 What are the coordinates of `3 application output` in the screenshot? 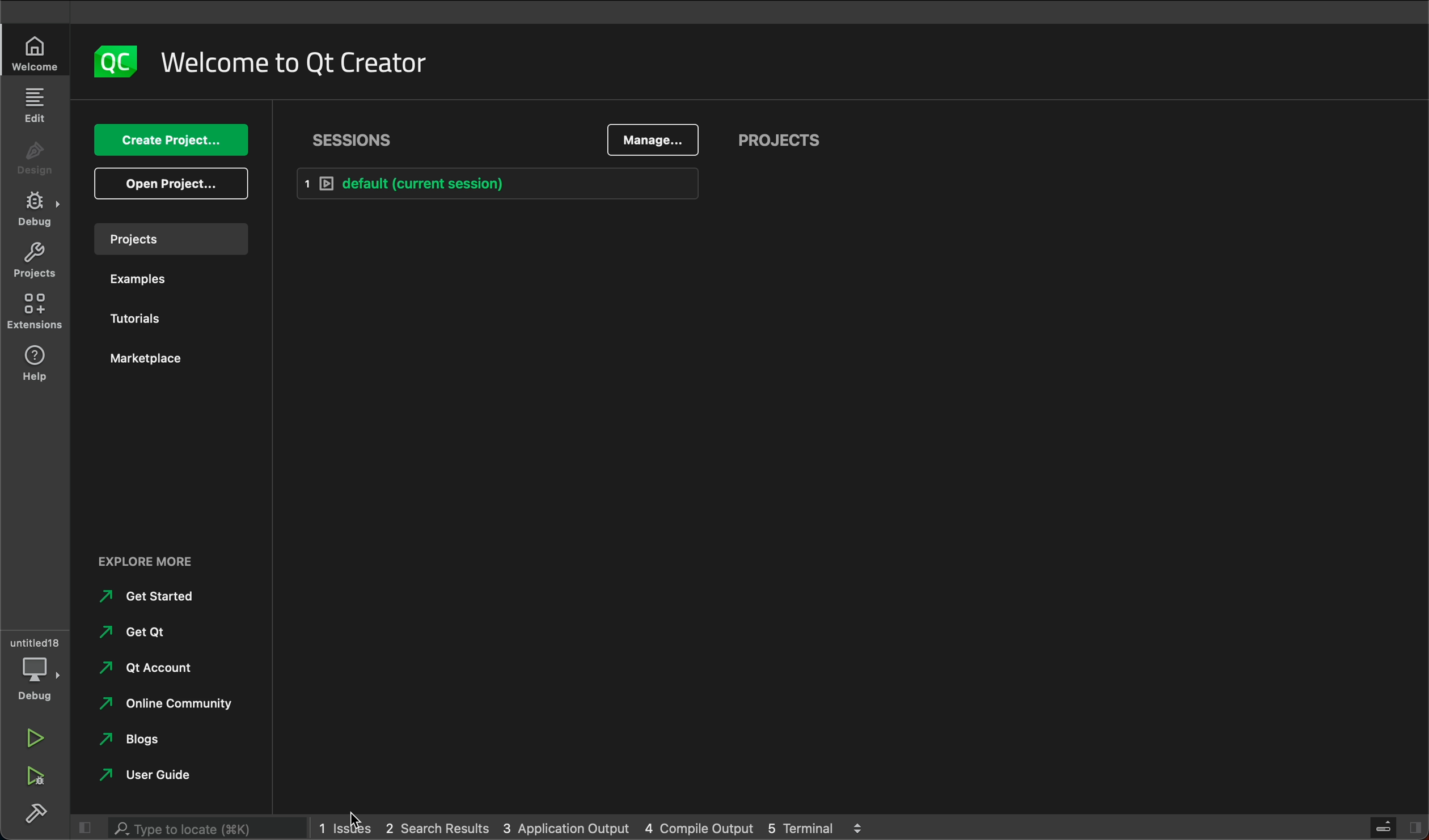 It's located at (570, 826).